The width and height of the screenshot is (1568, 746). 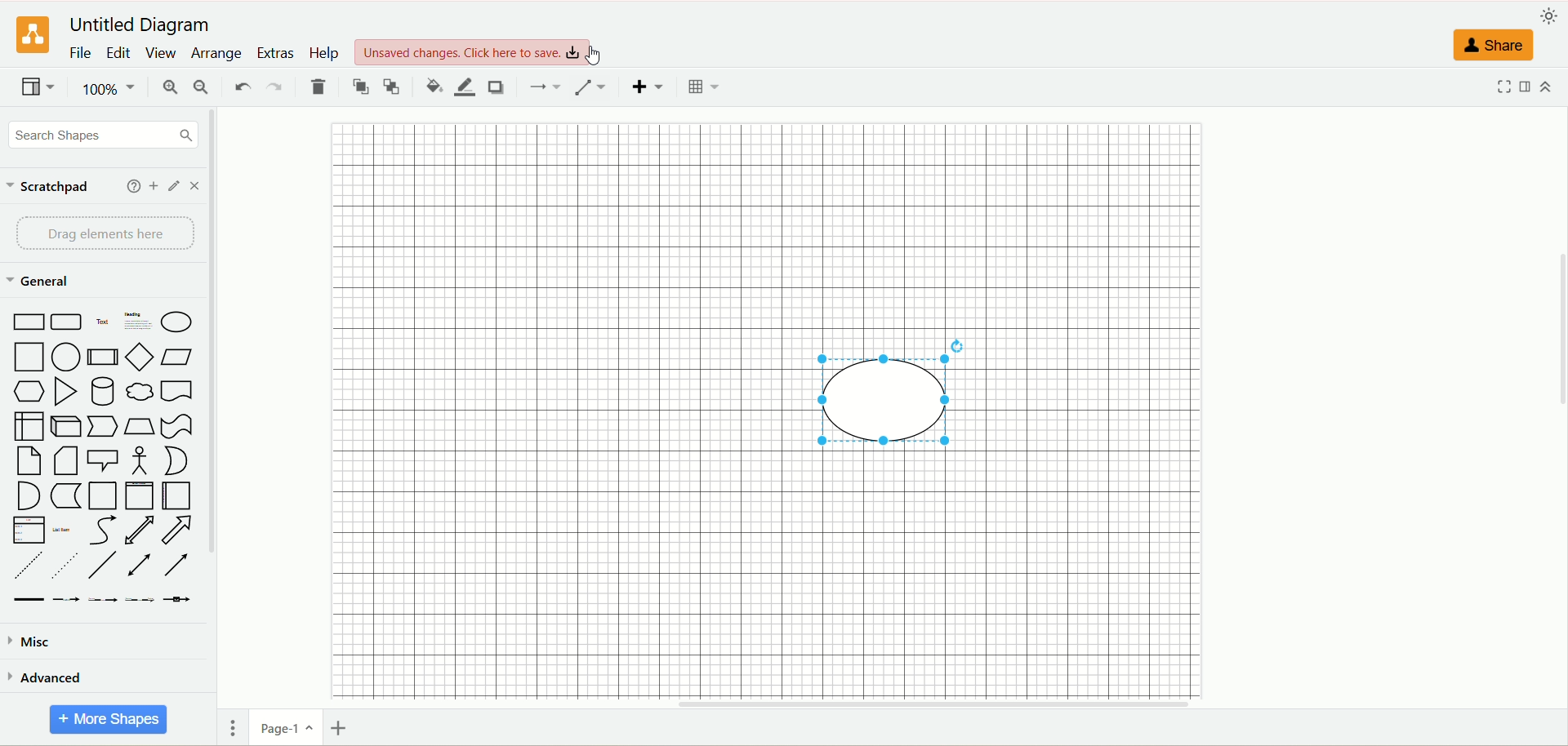 What do you see at coordinates (140, 565) in the screenshot?
I see `bidirectional connector` at bounding box center [140, 565].